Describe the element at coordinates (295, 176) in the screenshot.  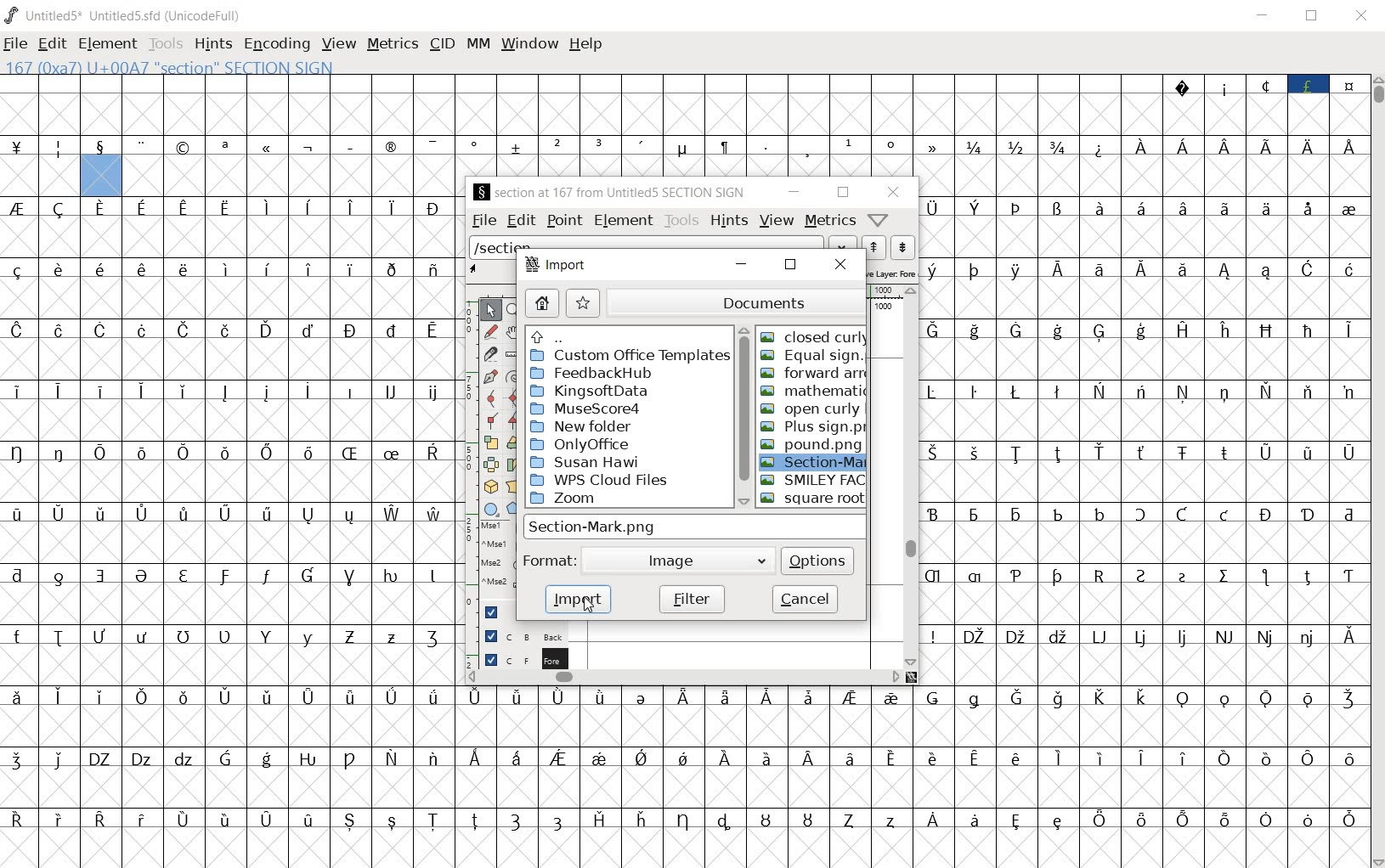
I see `empty cells` at that location.